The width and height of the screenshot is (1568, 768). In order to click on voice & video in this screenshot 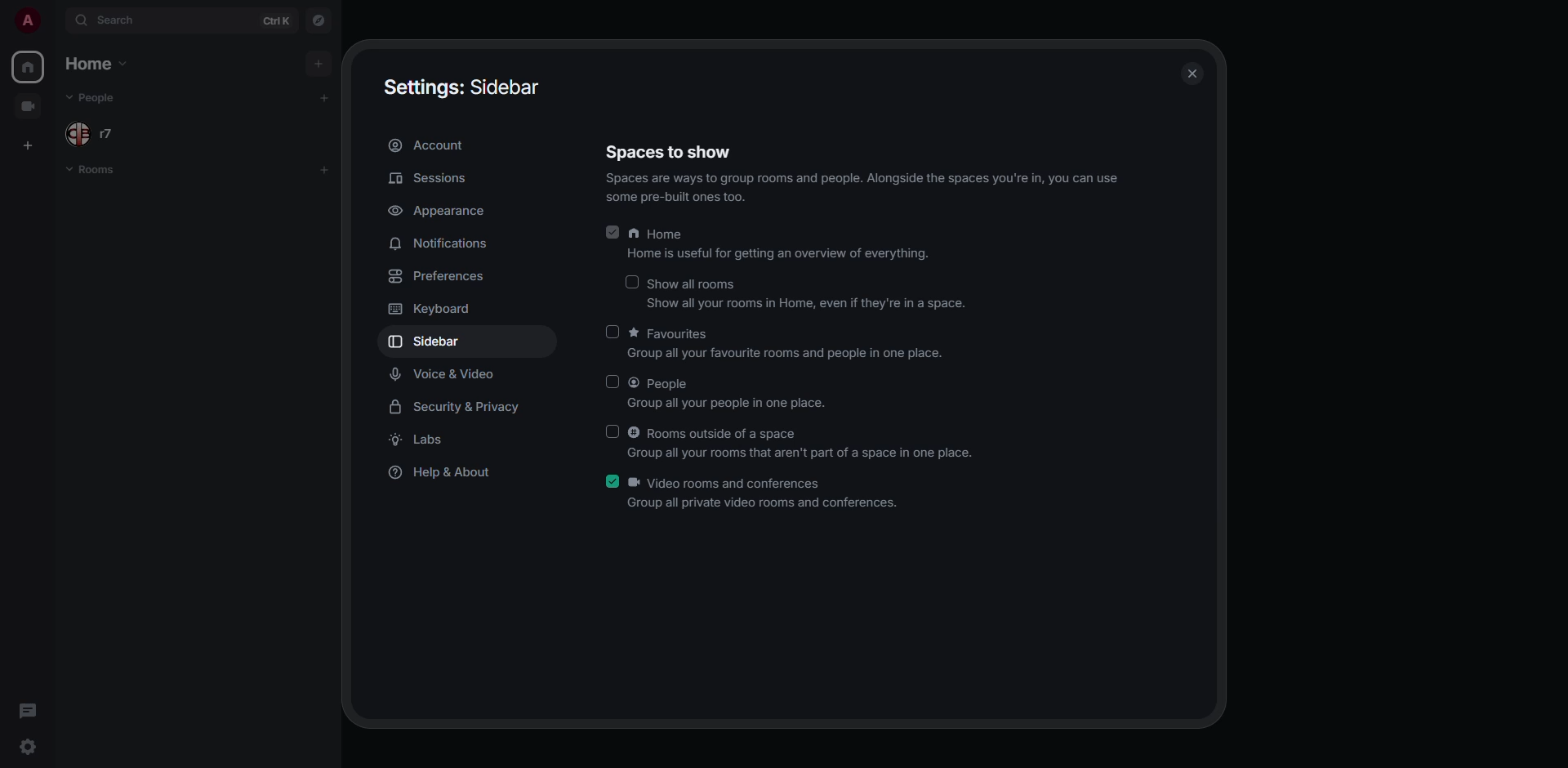, I will do `click(443, 373)`.